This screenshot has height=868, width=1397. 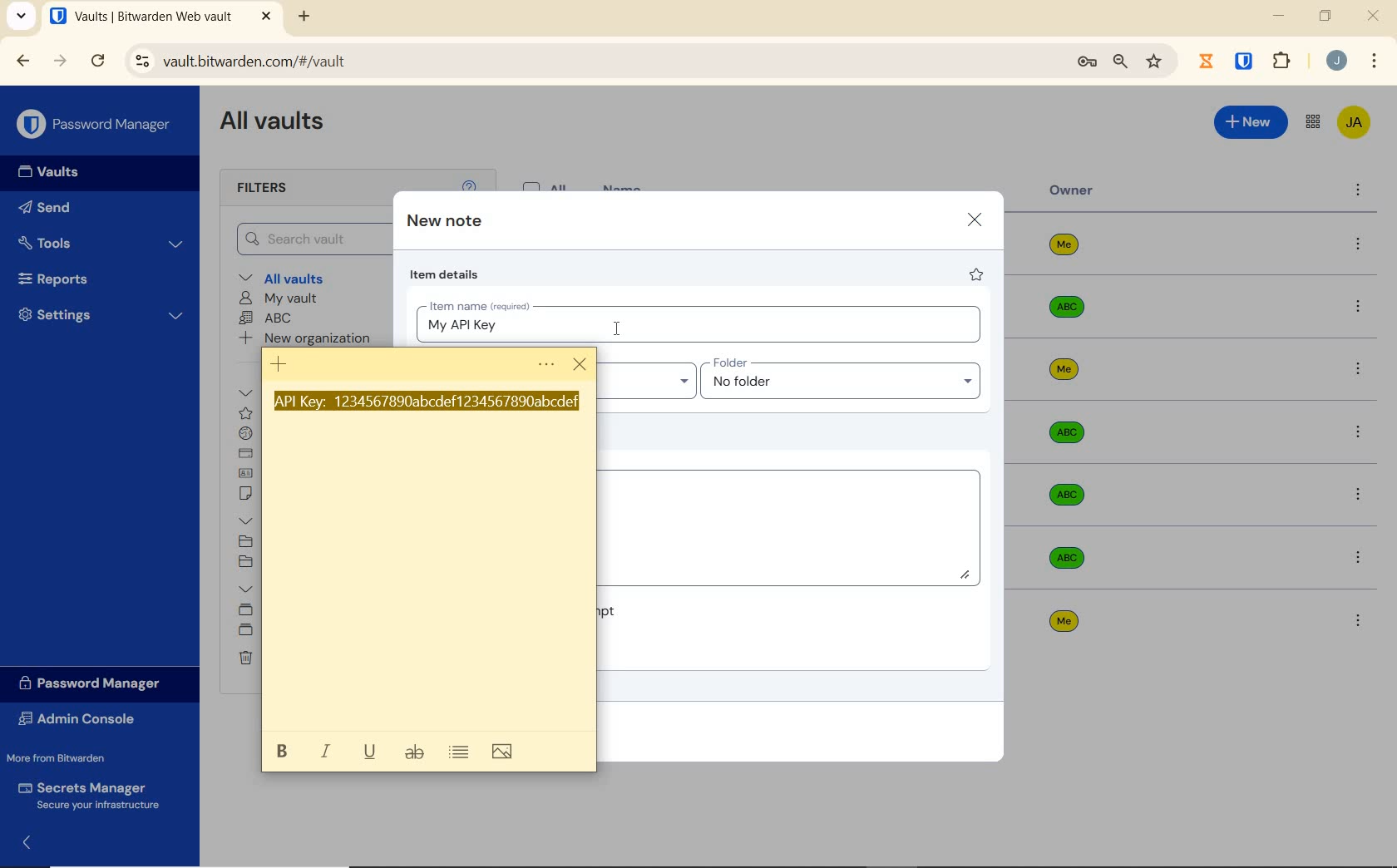 I want to click on SOCIAL MEDIA, so click(x=247, y=542).